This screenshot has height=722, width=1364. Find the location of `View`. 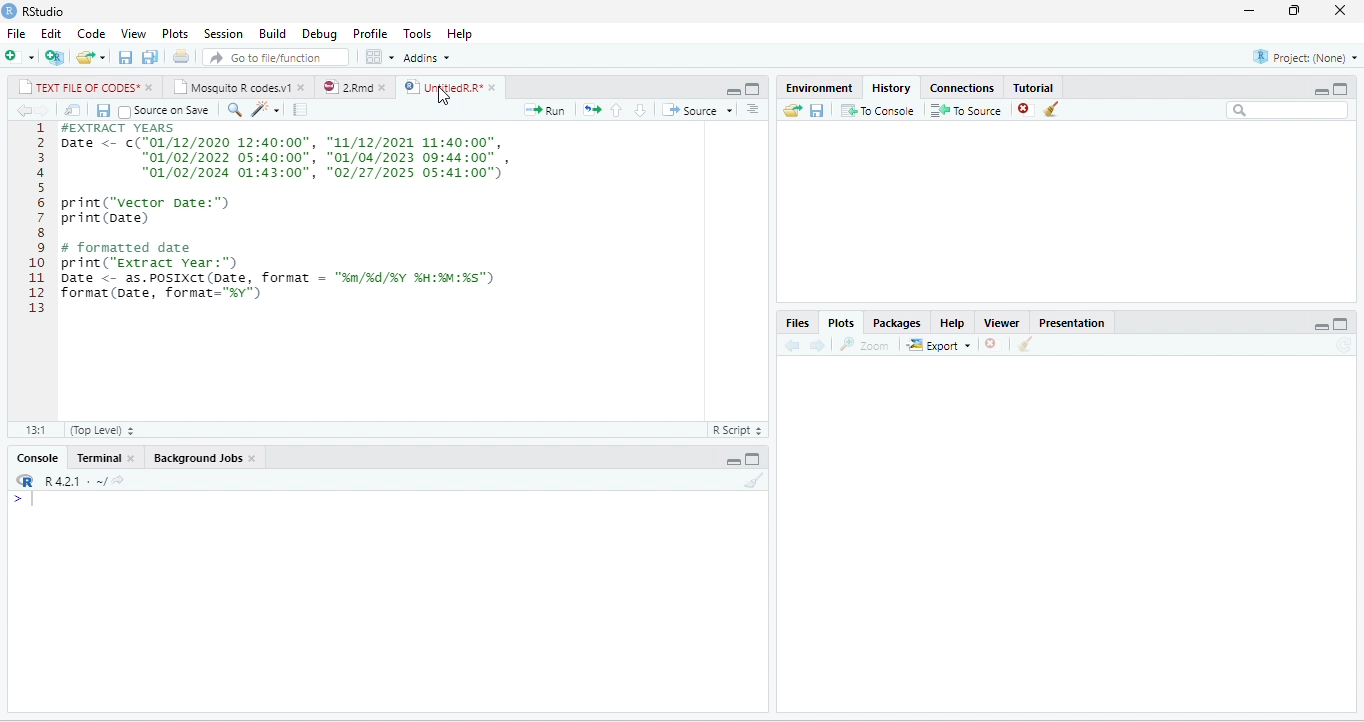

View is located at coordinates (133, 34).